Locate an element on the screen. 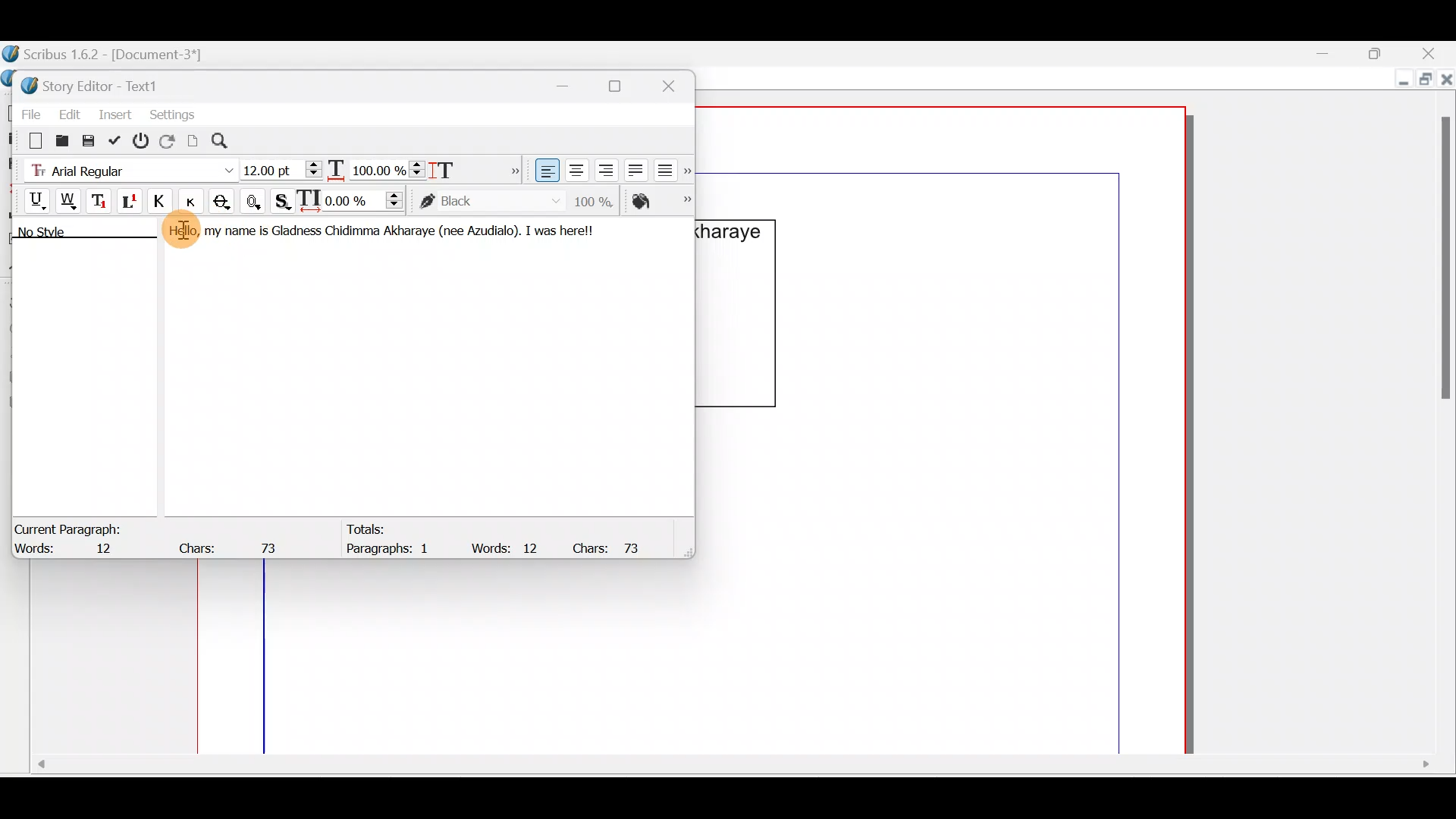 The width and height of the screenshot is (1456, 819). Font type - Arial Regular is located at coordinates (126, 168).